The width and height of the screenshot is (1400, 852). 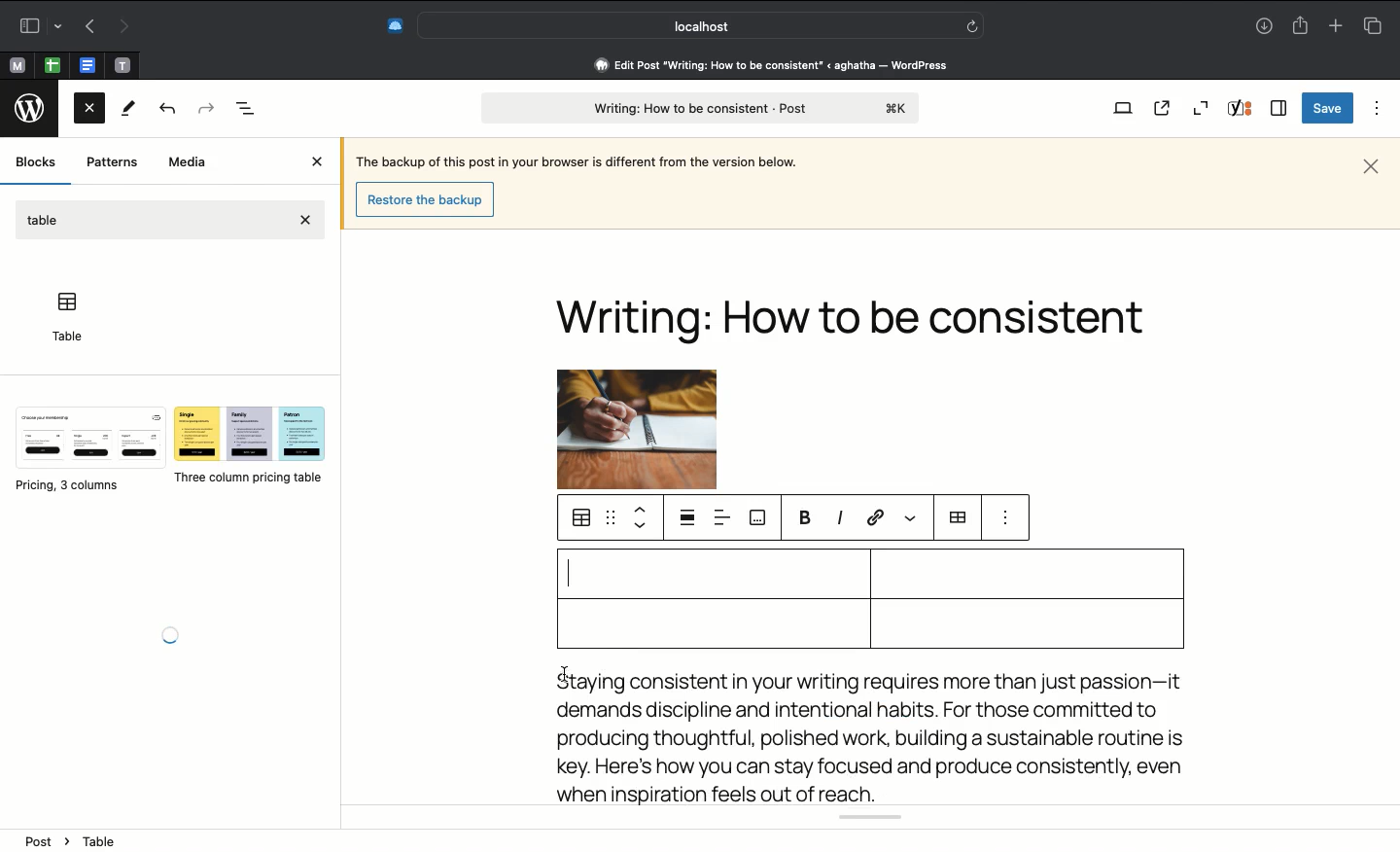 What do you see at coordinates (958, 516) in the screenshot?
I see `Settings` at bounding box center [958, 516].